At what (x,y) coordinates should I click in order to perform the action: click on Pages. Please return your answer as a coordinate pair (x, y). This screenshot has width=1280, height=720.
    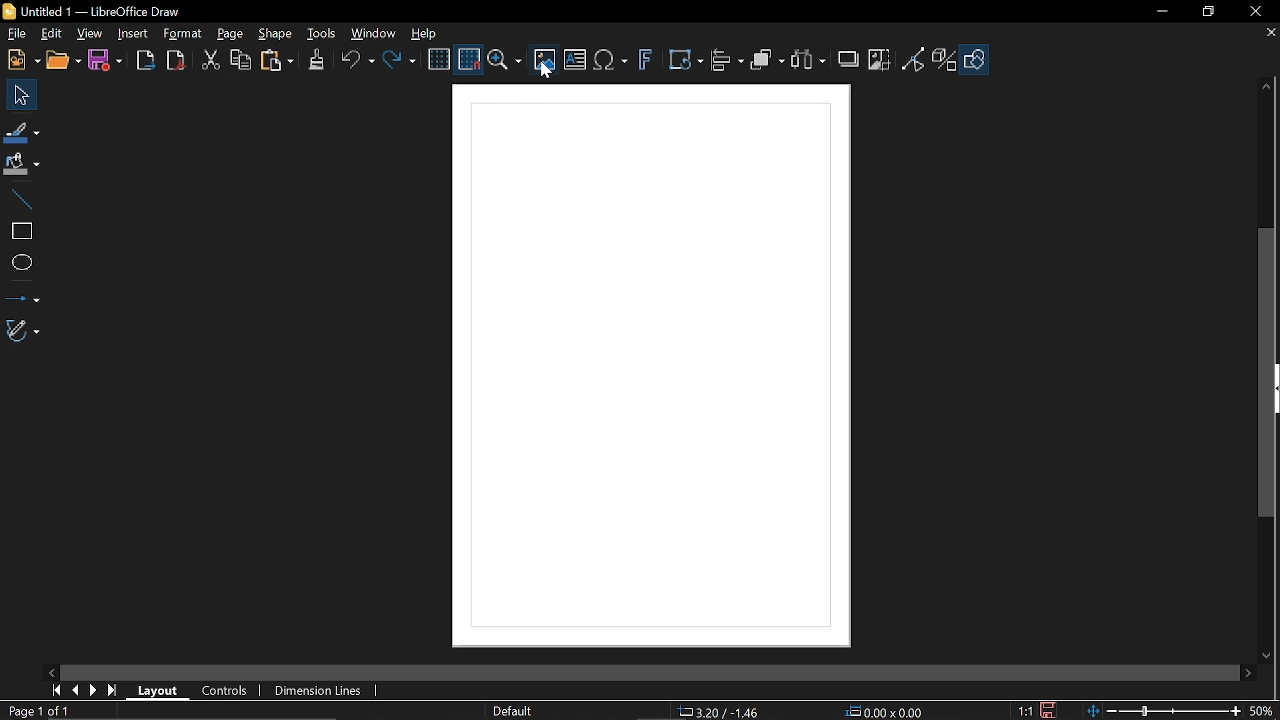
    Looking at the image, I should click on (36, 711).